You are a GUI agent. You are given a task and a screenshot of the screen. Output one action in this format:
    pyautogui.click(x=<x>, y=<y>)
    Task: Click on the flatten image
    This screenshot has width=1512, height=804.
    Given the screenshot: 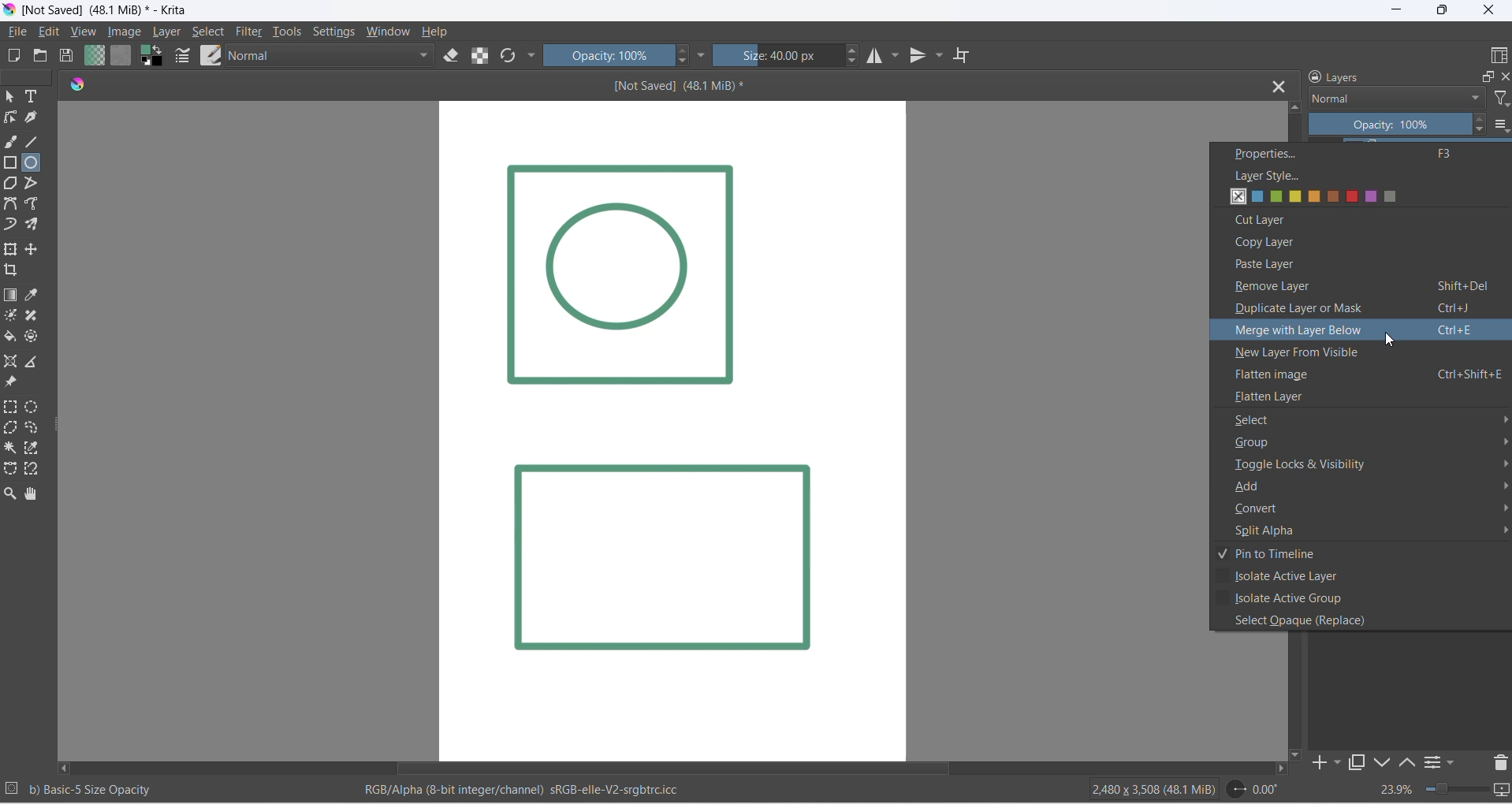 What is the action you would take?
    pyautogui.click(x=1364, y=374)
    